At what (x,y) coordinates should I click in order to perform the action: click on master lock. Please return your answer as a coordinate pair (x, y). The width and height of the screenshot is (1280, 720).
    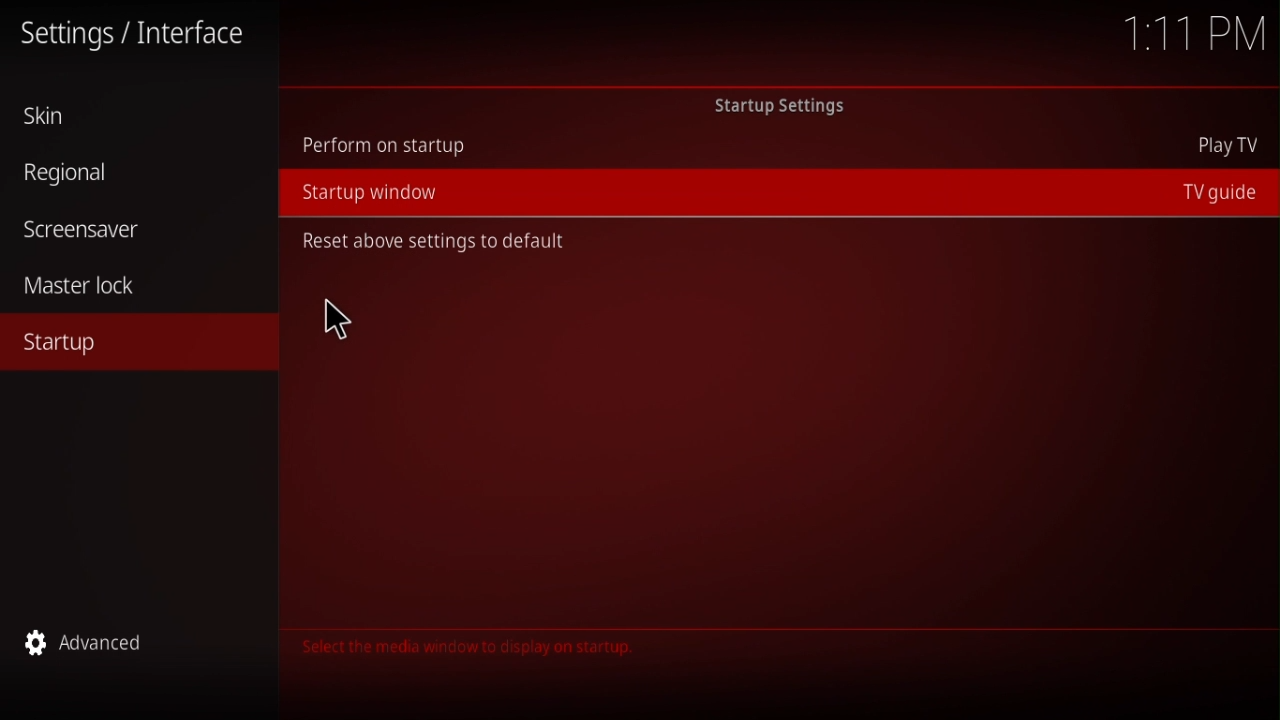
    Looking at the image, I should click on (92, 287).